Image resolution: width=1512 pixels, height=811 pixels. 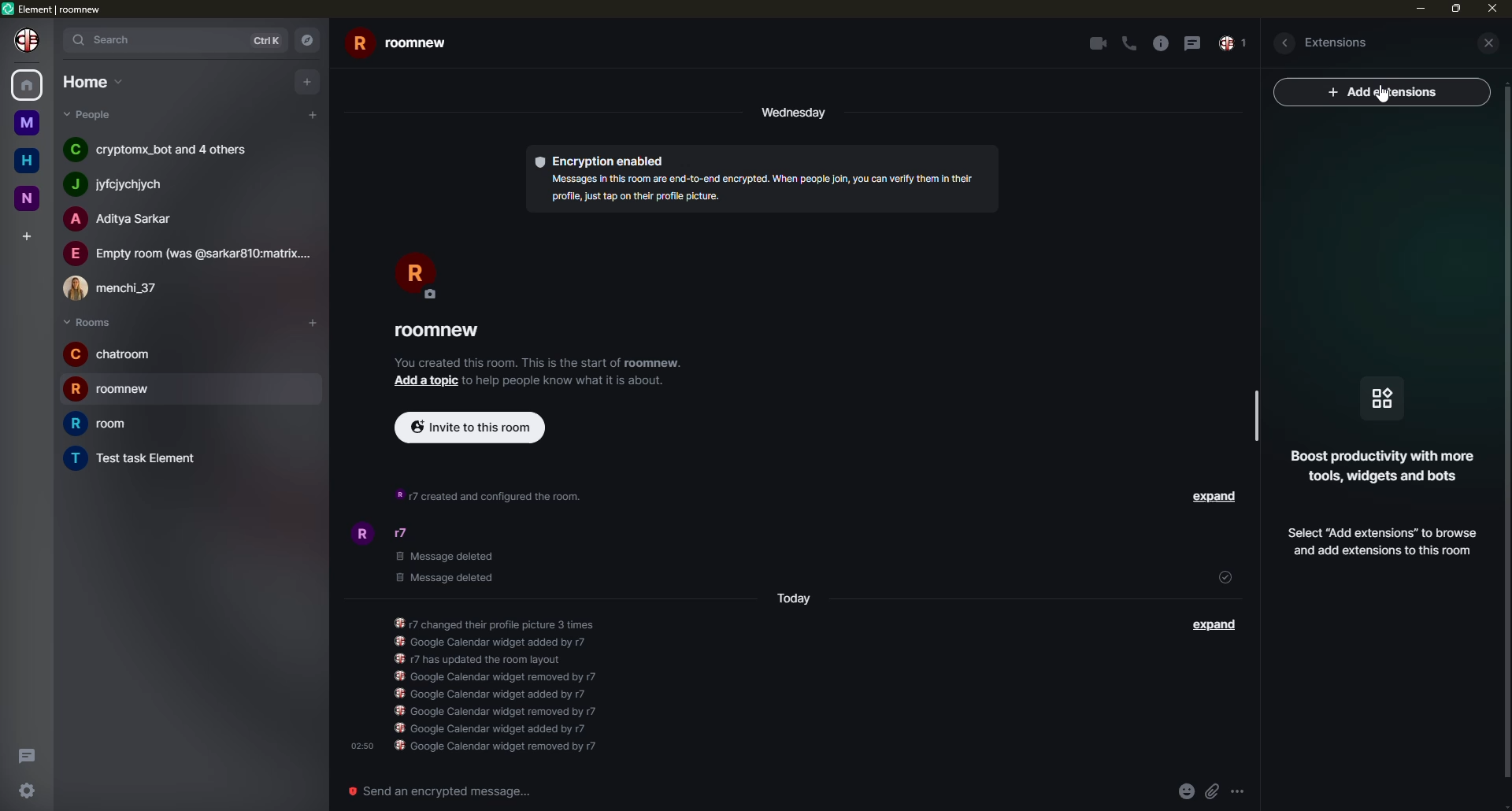 What do you see at coordinates (1235, 44) in the screenshot?
I see `inbox` at bounding box center [1235, 44].